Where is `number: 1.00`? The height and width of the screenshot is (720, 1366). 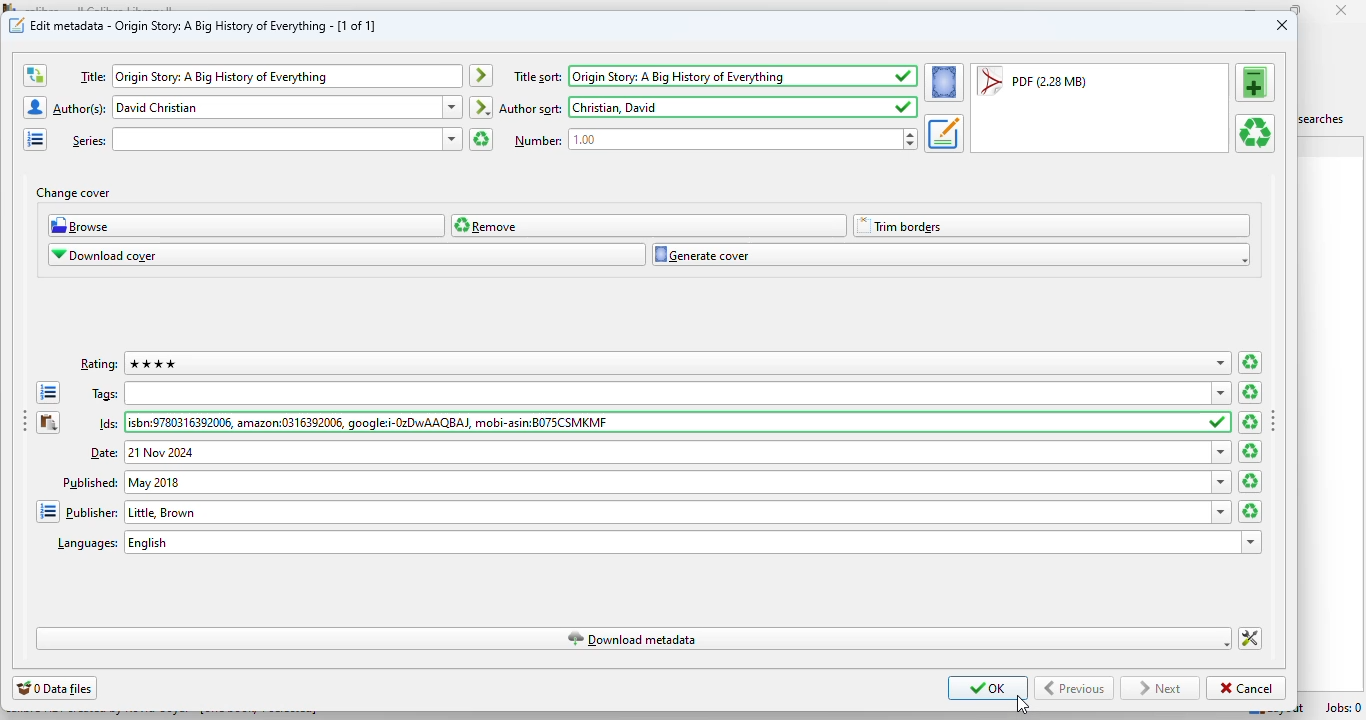 number: 1.00 is located at coordinates (734, 139).